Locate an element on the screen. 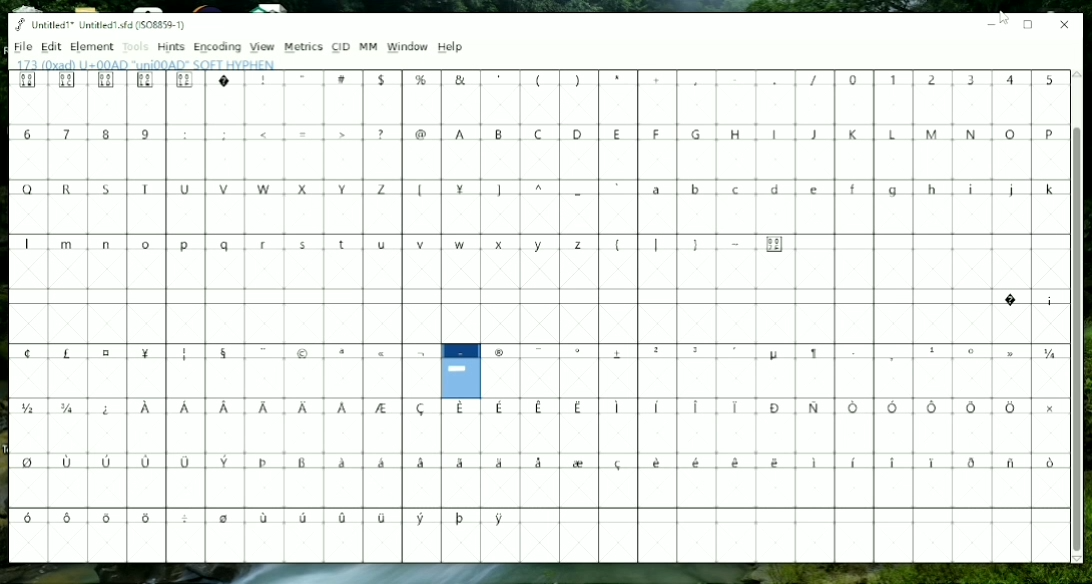 This screenshot has width=1092, height=584. Help is located at coordinates (454, 48).